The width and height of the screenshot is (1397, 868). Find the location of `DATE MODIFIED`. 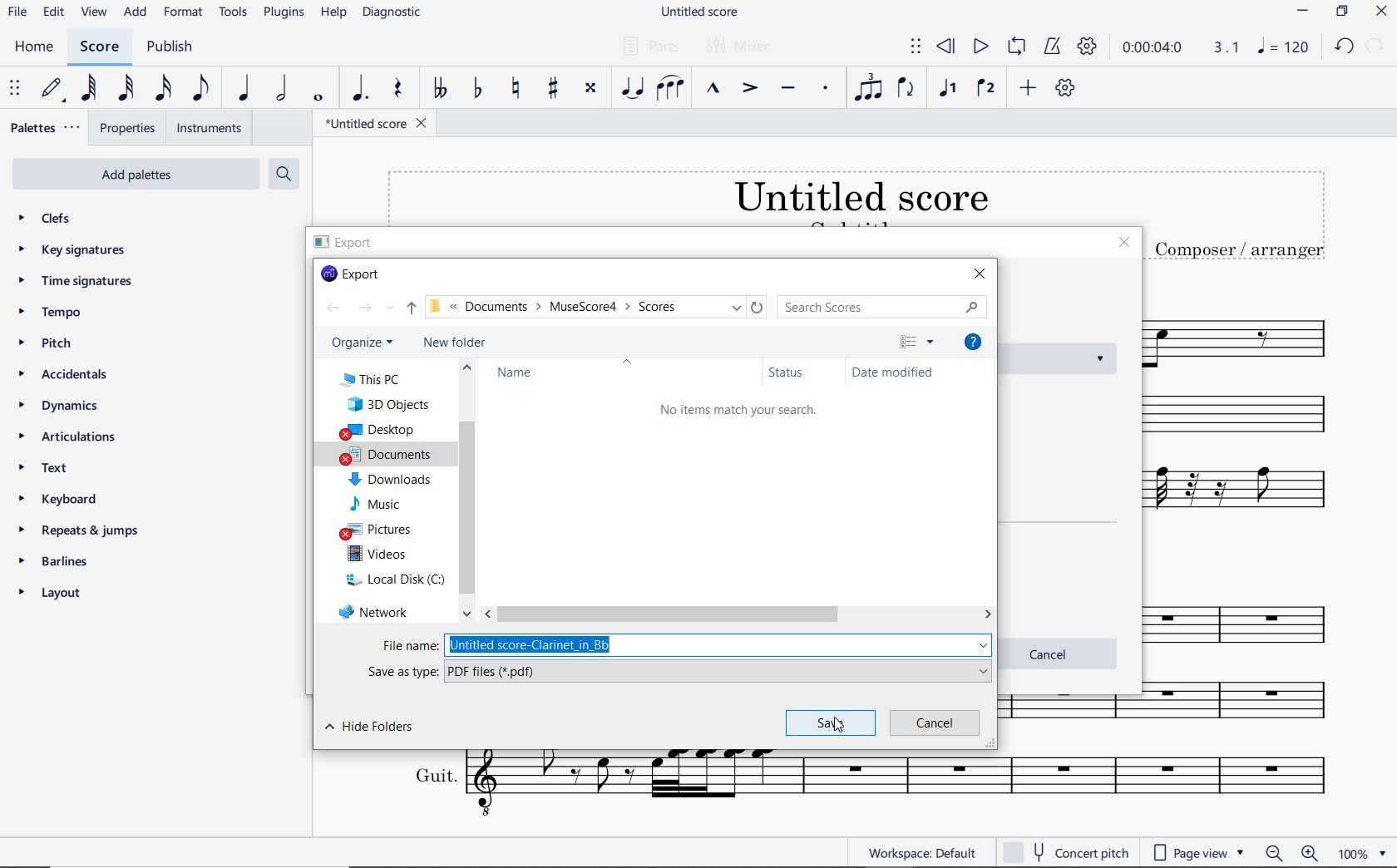

DATE MODIFIED is located at coordinates (893, 372).